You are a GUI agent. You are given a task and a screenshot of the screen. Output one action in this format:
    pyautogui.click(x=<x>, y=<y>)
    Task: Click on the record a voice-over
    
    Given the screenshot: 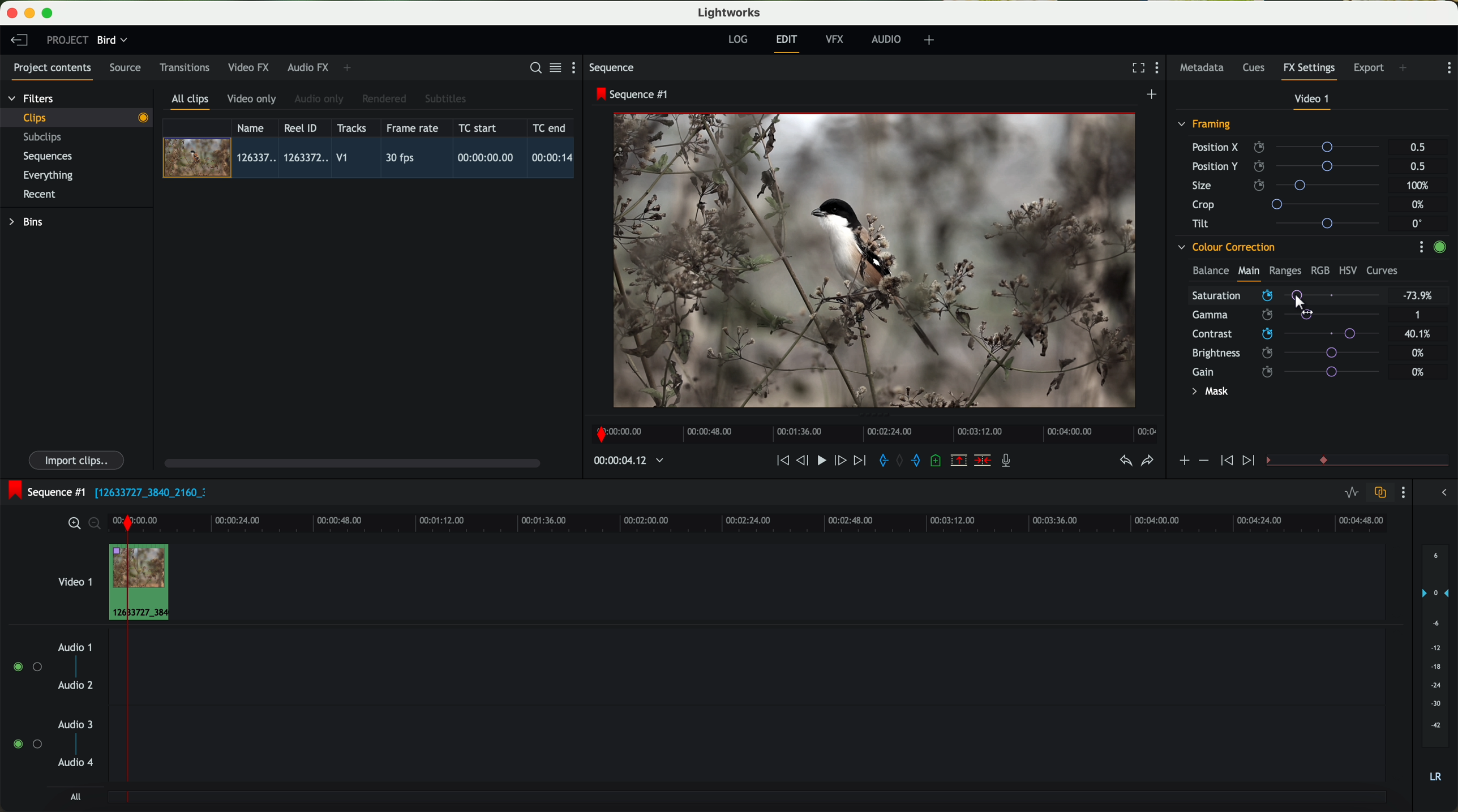 What is the action you would take?
    pyautogui.click(x=1010, y=462)
    